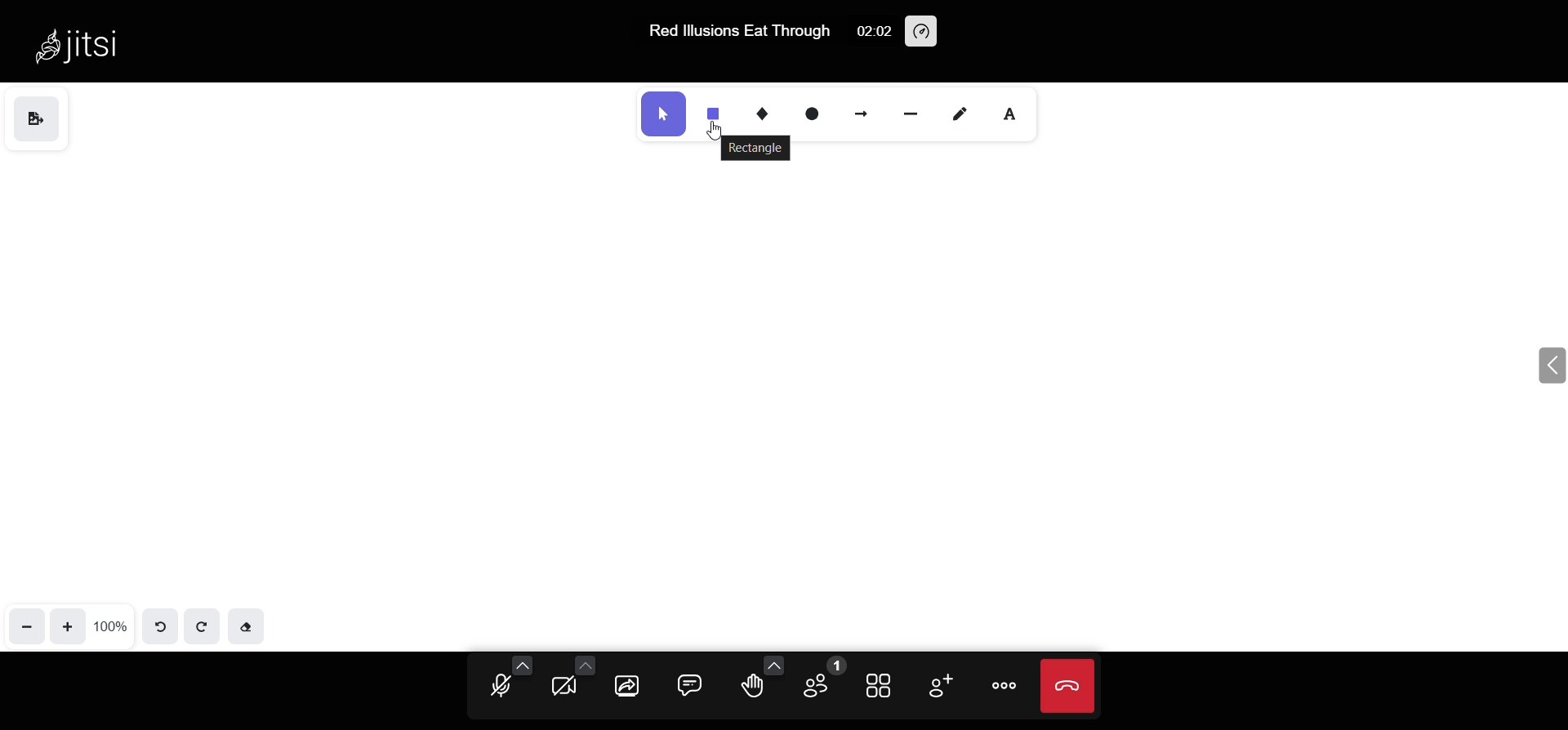  What do you see at coordinates (769, 372) in the screenshot?
I see `whiteboard` at bounding box center [769, 372].